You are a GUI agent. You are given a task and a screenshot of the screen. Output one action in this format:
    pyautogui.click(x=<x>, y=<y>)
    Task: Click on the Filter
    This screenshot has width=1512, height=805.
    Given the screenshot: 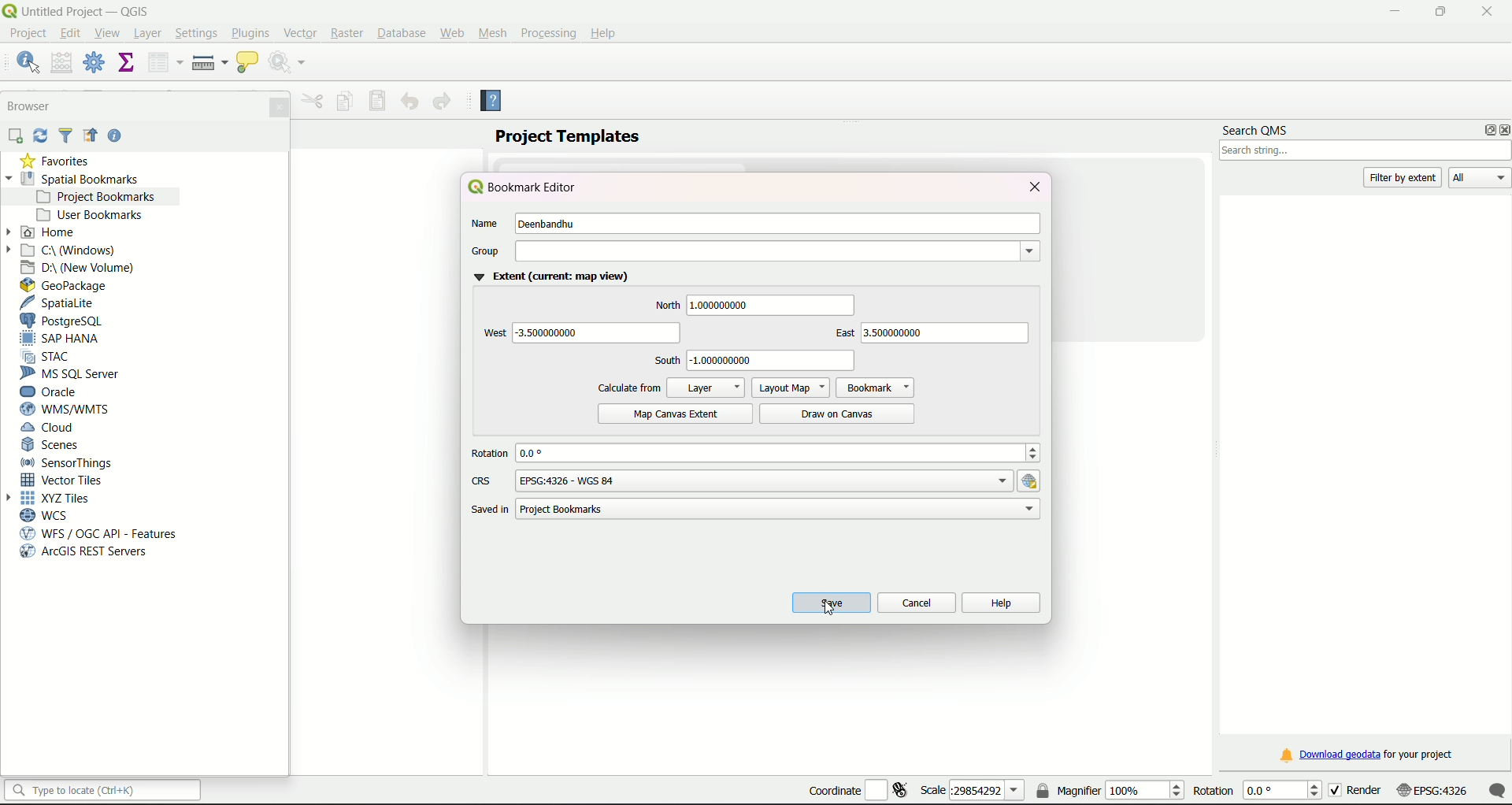 What is the action you would take?
    pyautogui.click(x=66, y=136)
    